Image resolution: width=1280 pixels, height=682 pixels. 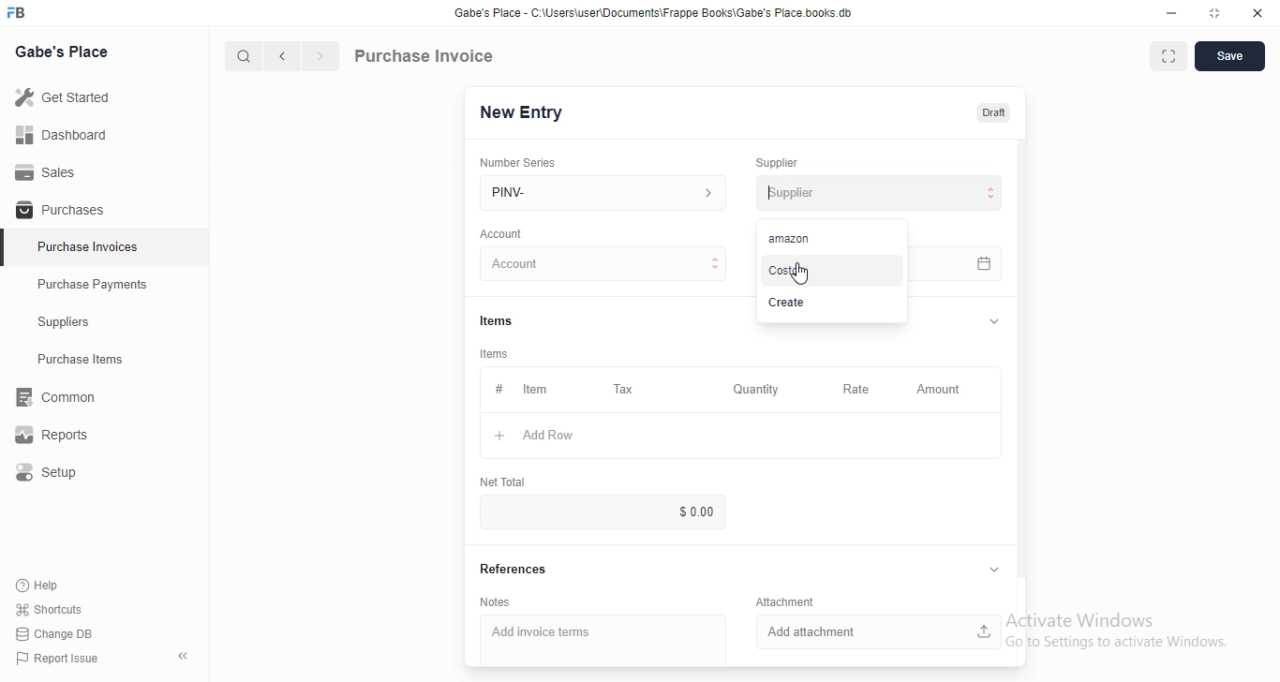 I want to click on Shortcuts, so click(x=50, y=609).